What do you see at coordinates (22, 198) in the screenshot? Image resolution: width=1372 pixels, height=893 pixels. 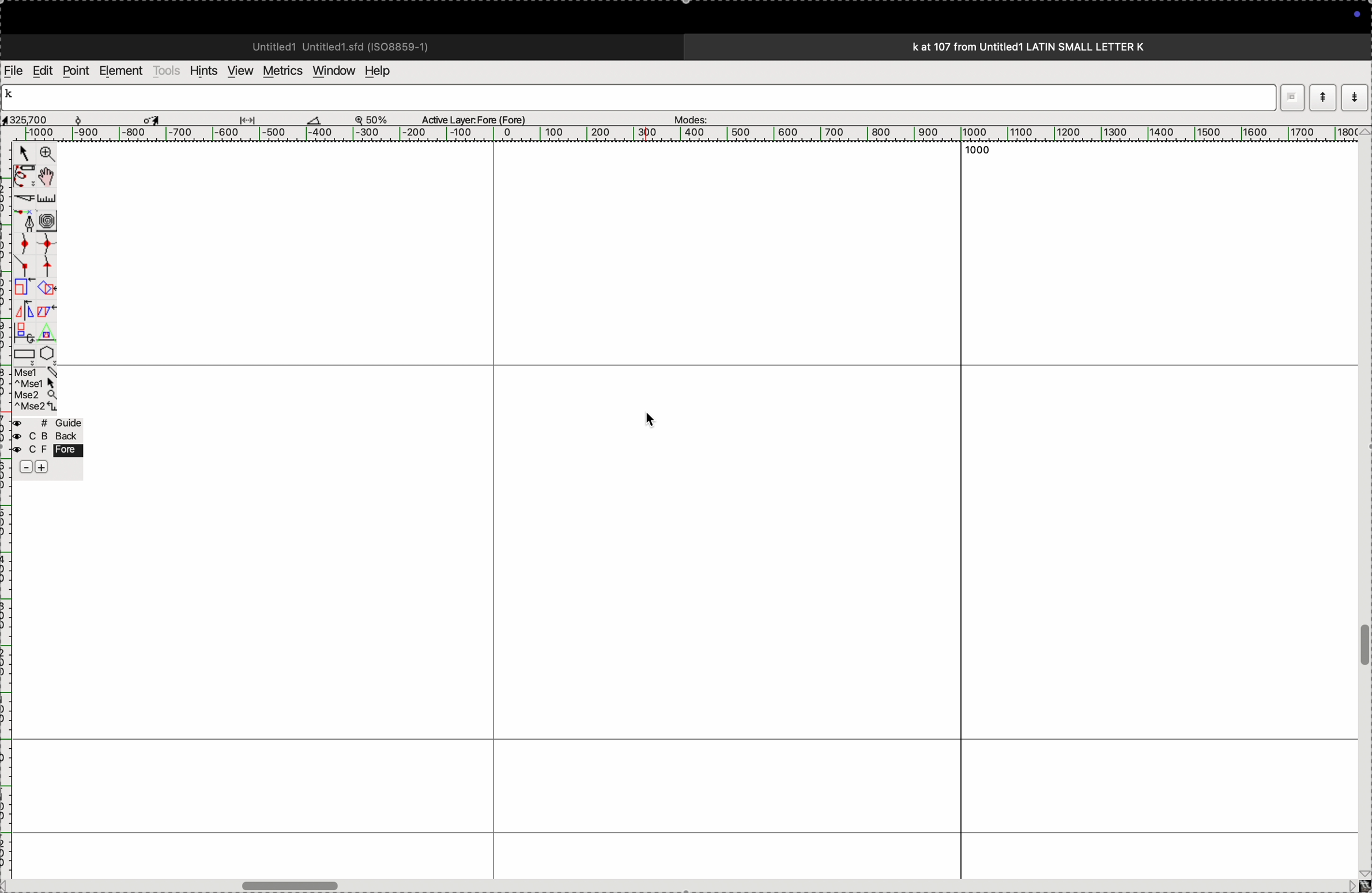 I see `cut` at bounding box center [22, 198].